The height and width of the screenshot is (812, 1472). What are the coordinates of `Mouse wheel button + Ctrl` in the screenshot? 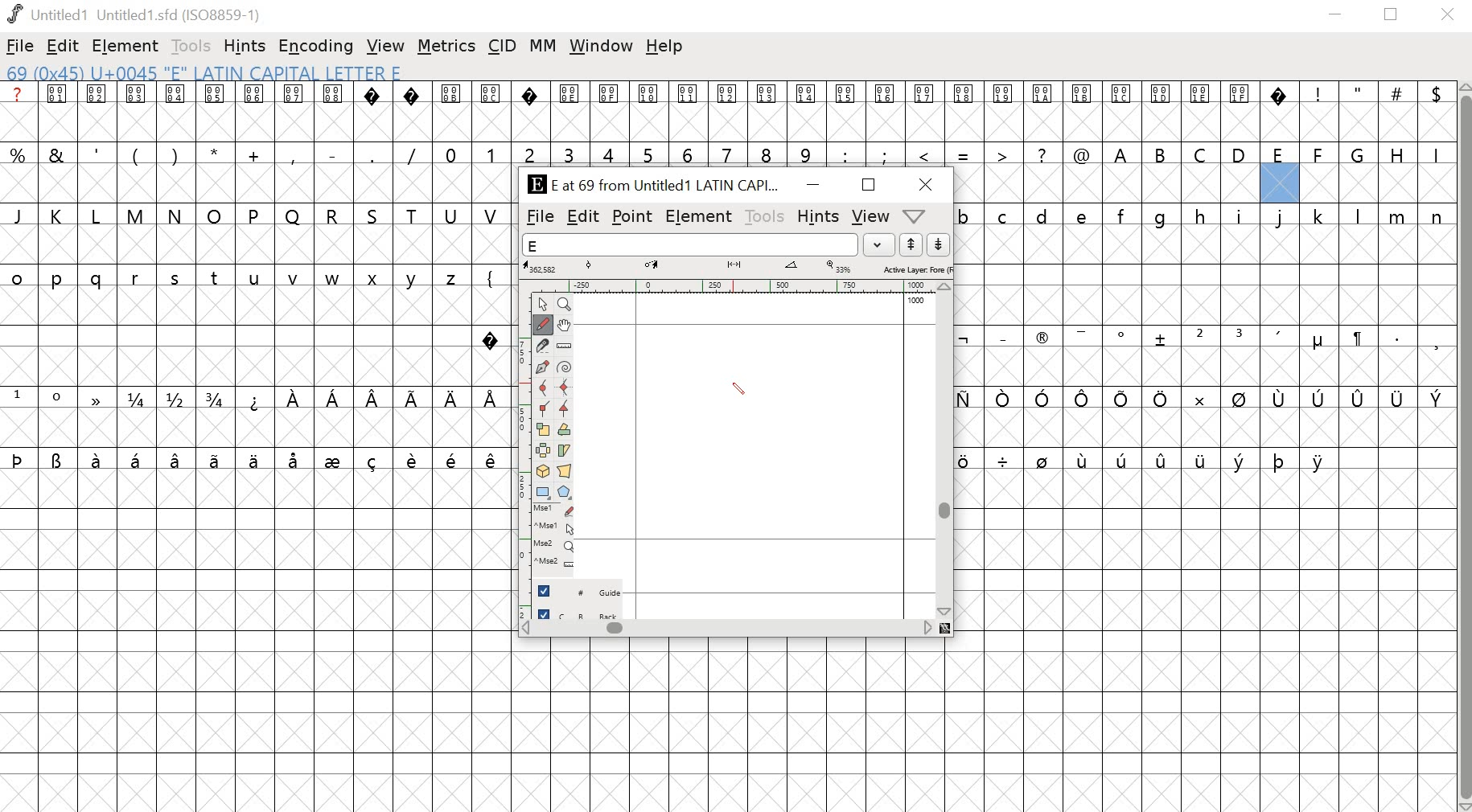 It's located at (553, 563).